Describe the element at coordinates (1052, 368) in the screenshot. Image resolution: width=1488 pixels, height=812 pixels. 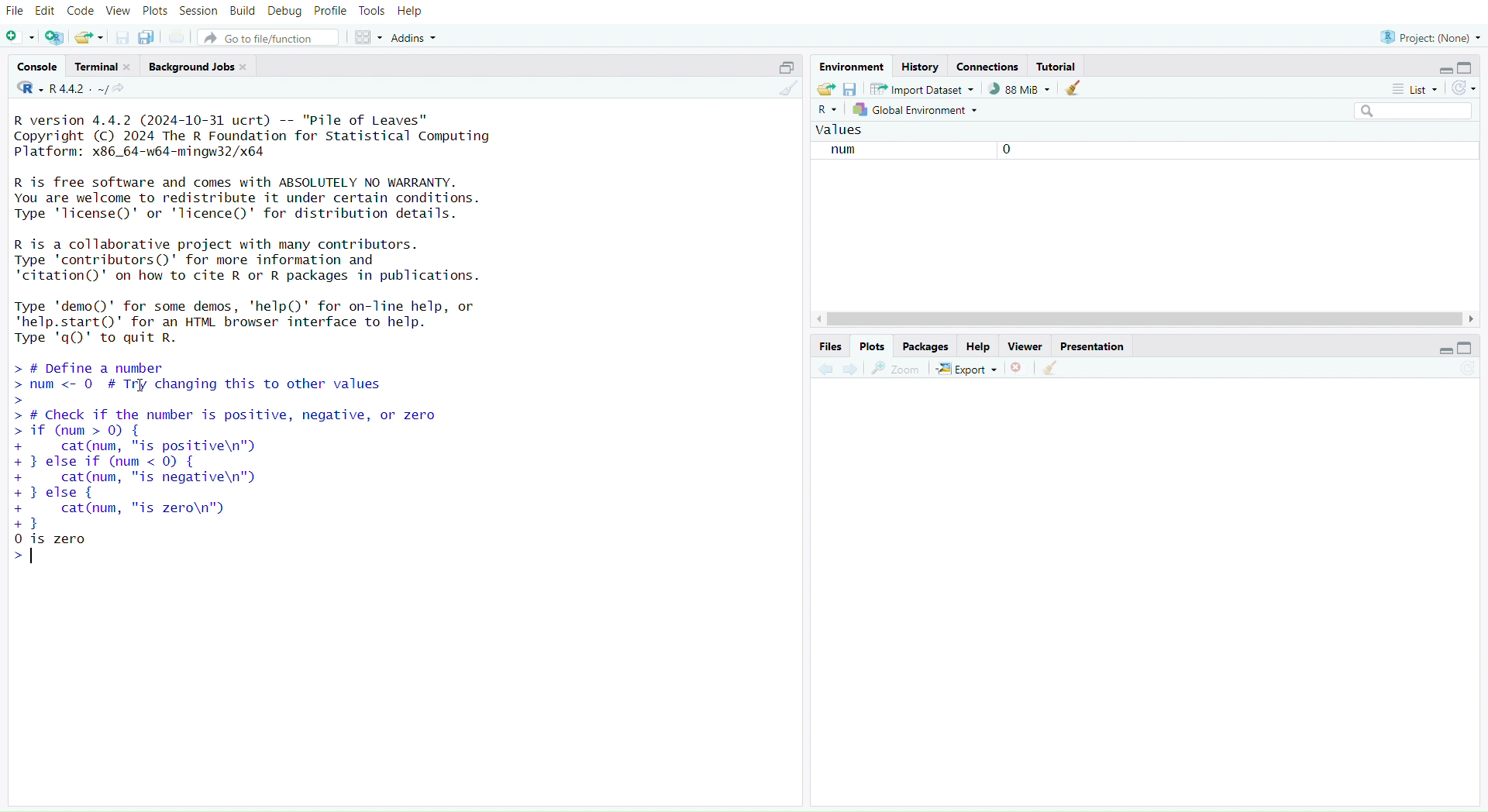
I see `clear all plot` at that location.